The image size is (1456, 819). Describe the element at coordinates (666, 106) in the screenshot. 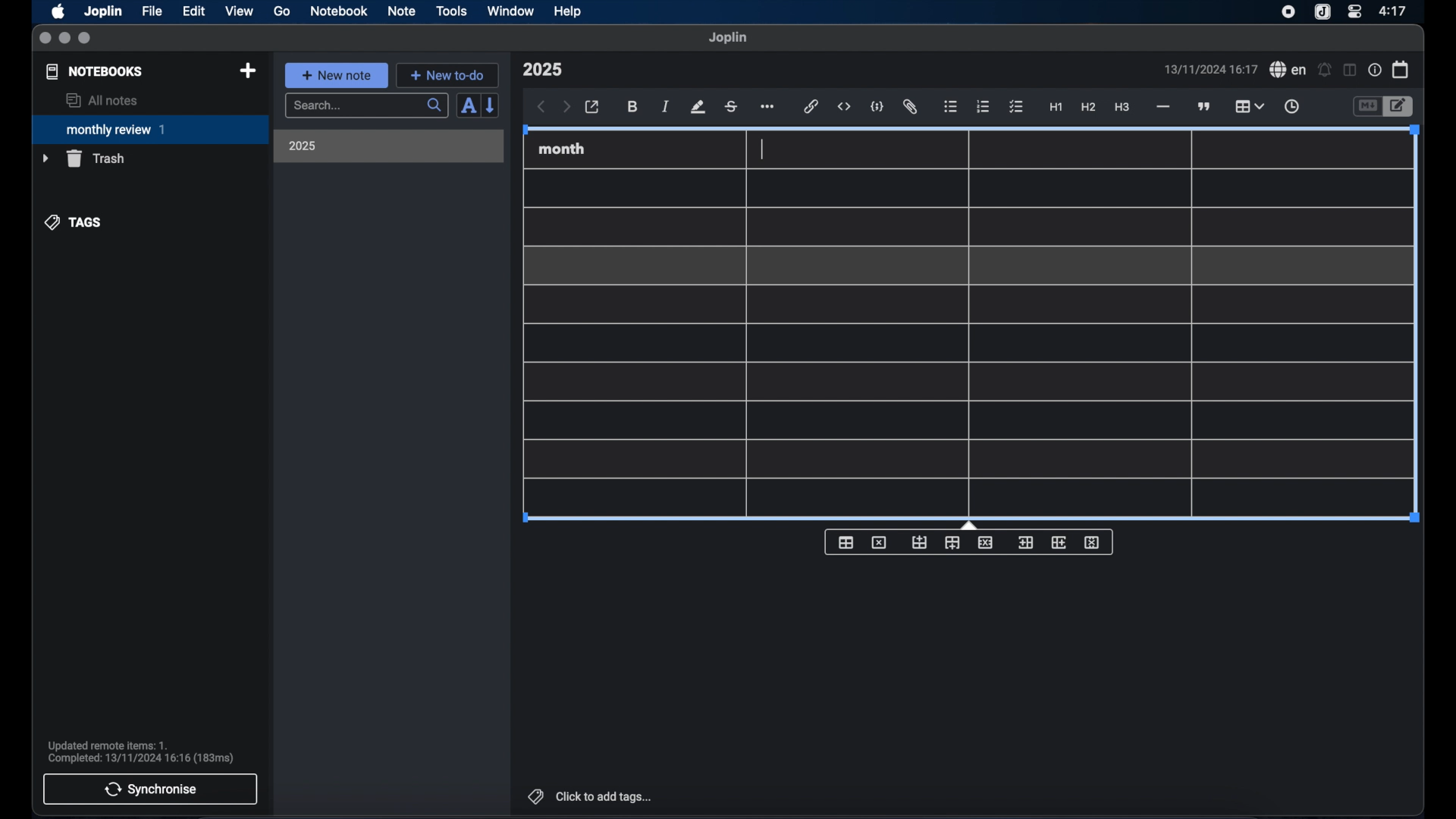

I see `italic` at that location.